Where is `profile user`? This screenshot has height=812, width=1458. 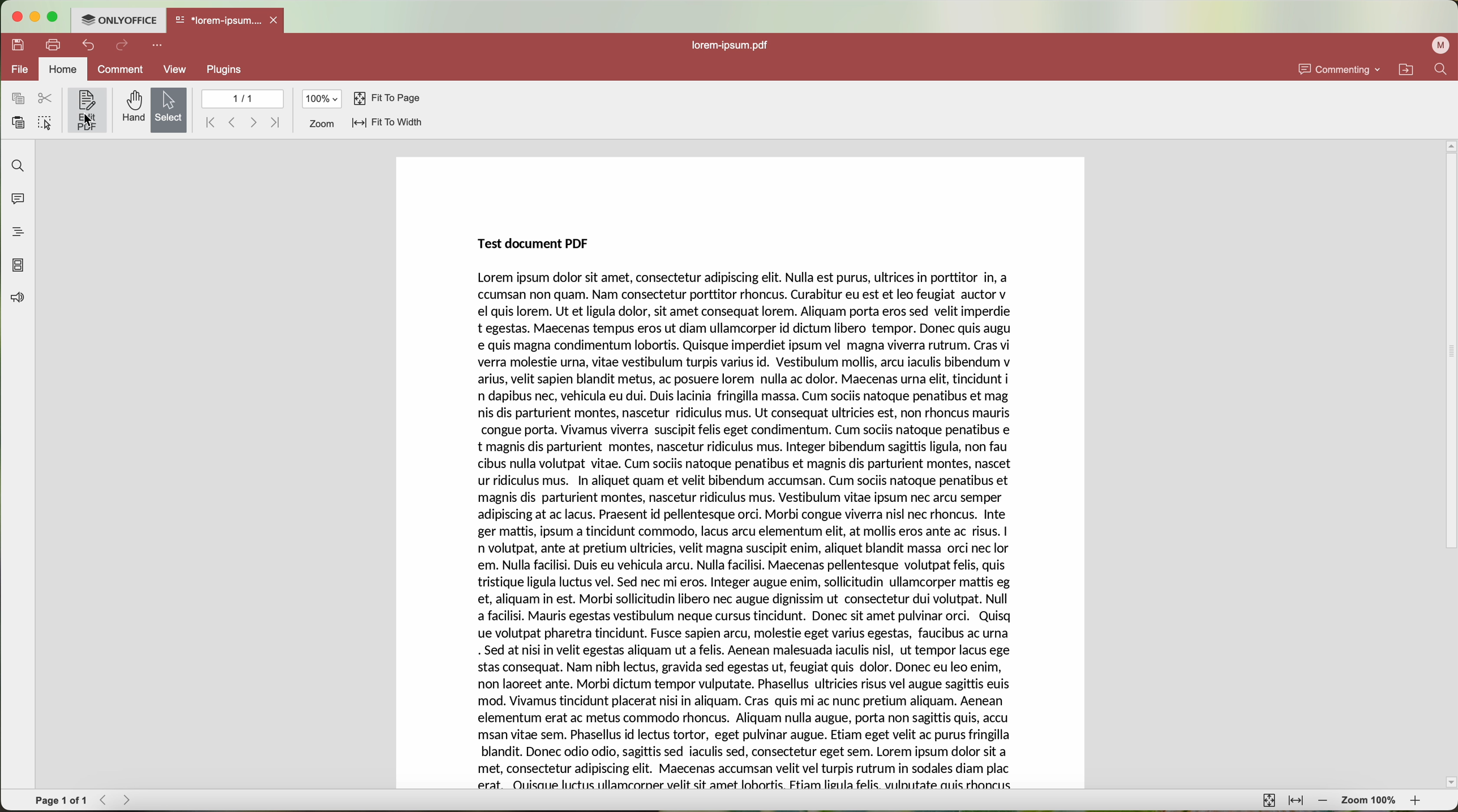
profile user is located at coordinates (1442, 46).